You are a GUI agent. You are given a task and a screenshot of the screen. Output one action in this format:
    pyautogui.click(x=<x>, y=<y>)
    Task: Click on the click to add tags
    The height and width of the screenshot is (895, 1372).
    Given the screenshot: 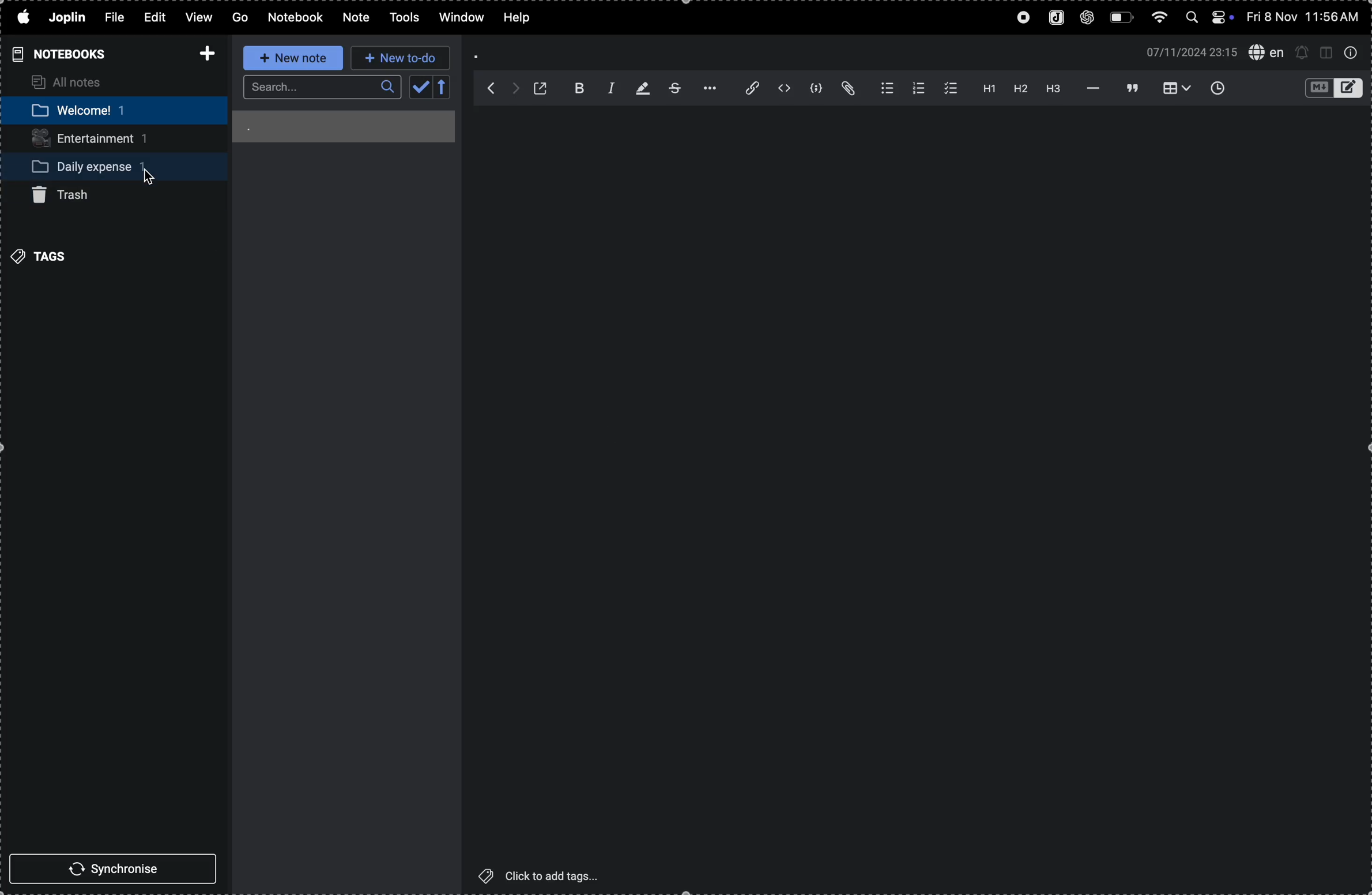 What is the action you would take?
    pyautogui.click(x=546, y=875)
    